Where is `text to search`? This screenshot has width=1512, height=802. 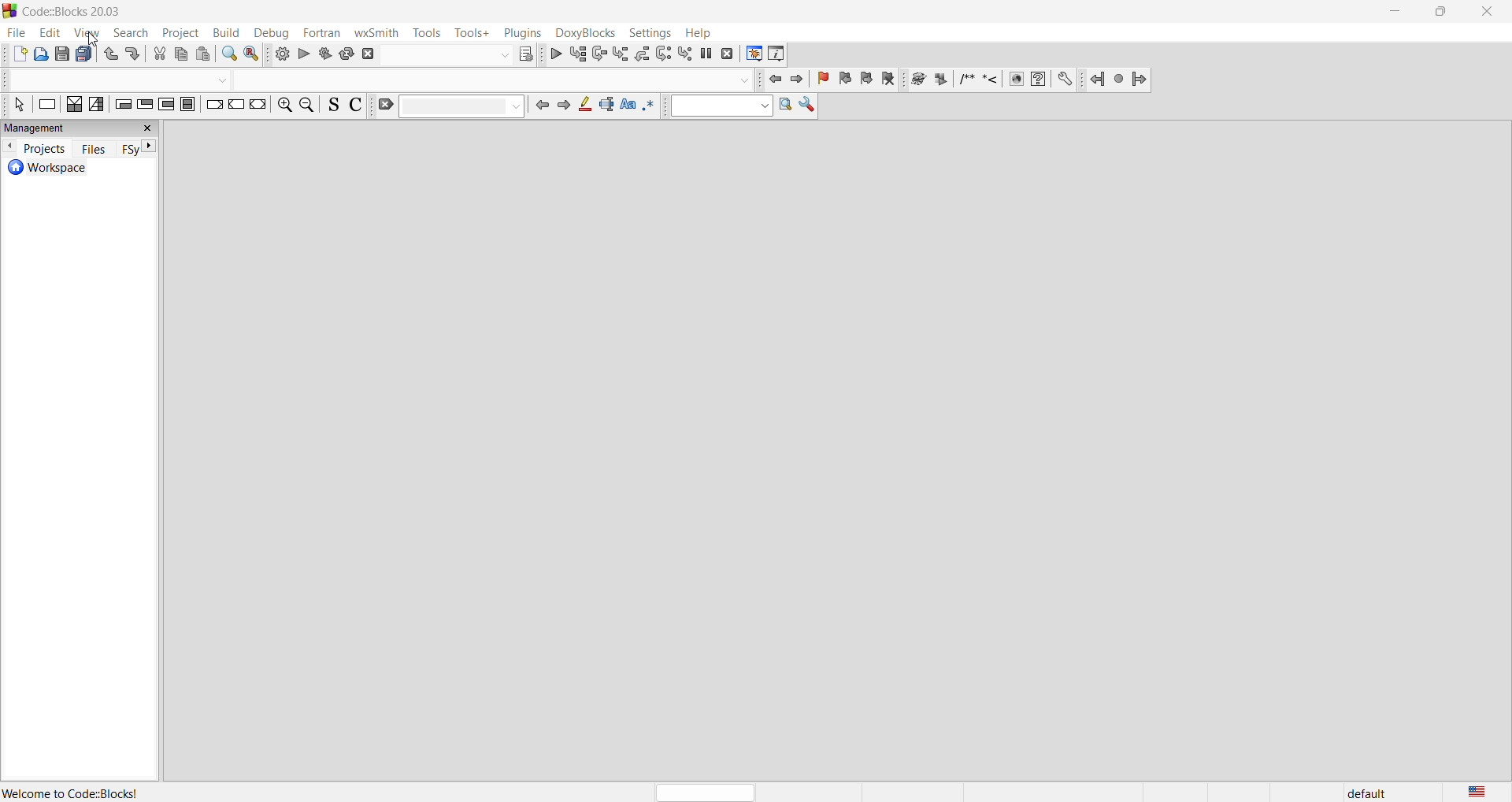 text to search is located at coordinates (721, 106).